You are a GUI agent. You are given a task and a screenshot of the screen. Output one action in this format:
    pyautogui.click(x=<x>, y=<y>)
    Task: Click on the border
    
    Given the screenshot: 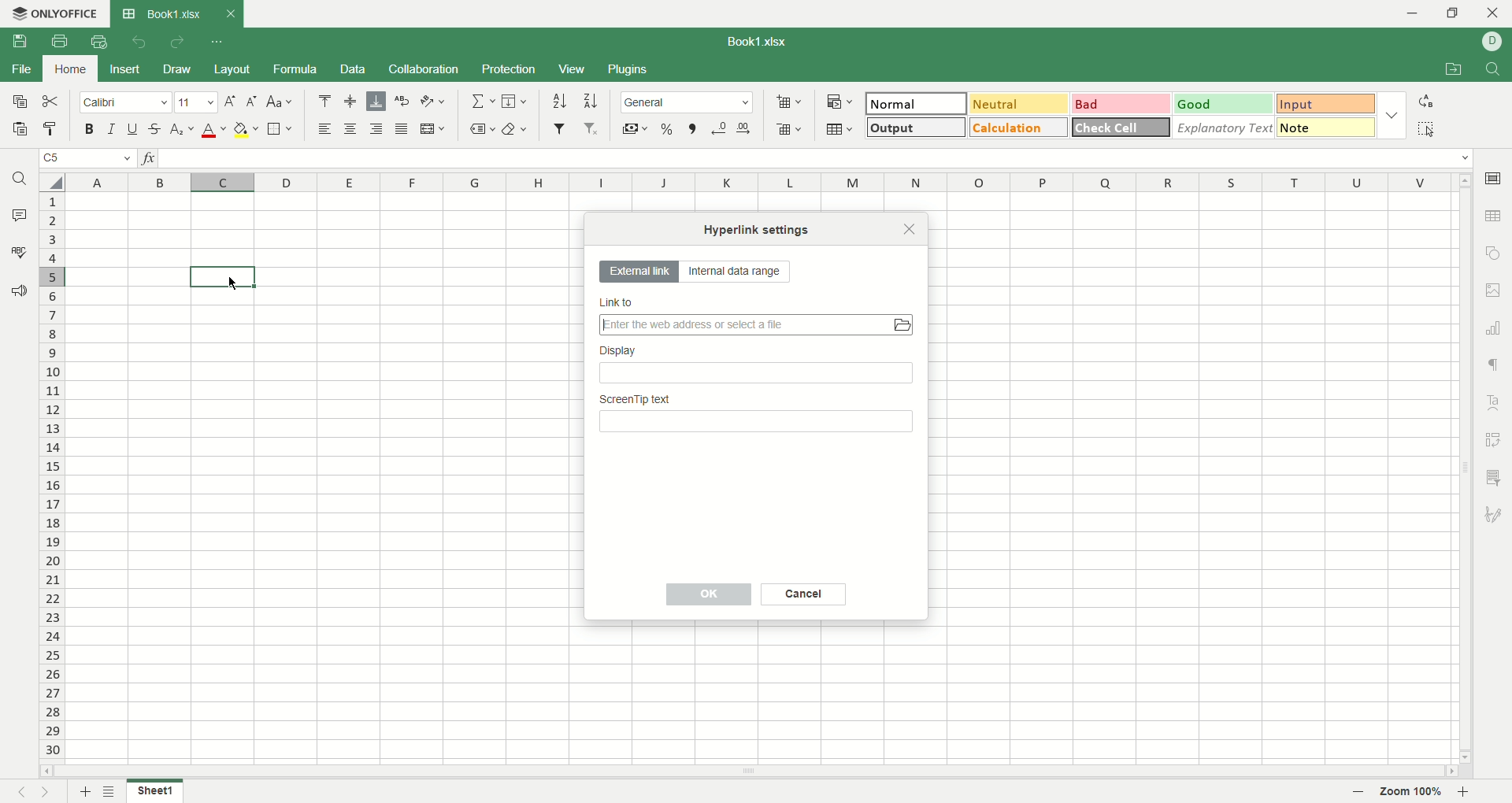 What is the action you would take?
    pyautogui.click(x=280, y=130)
    